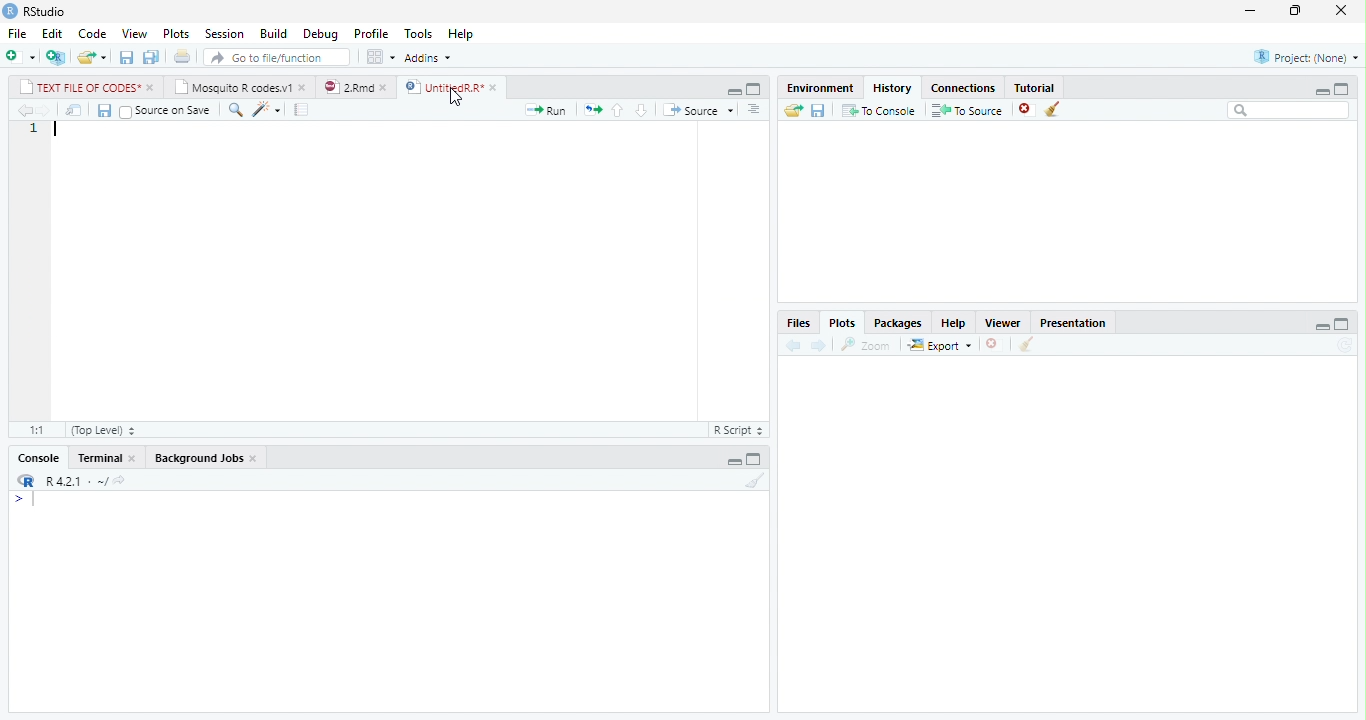  What do you see at coordinates (57, 129) in the screenshot?
I see `typing cursor` at bounding box center [57, 129].